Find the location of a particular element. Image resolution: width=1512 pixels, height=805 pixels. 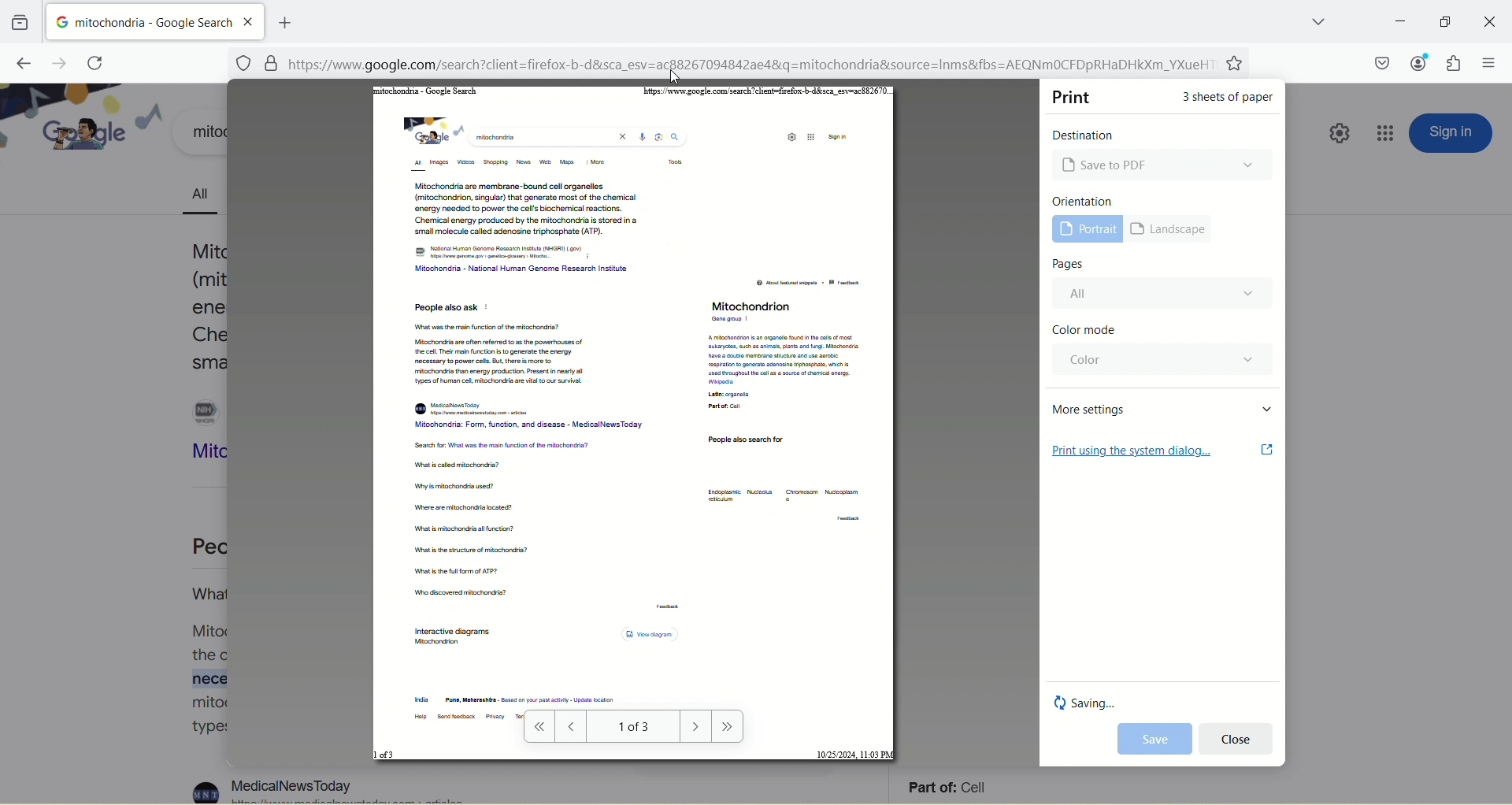

print using the system dialog is located at coordinates (1163, 451).